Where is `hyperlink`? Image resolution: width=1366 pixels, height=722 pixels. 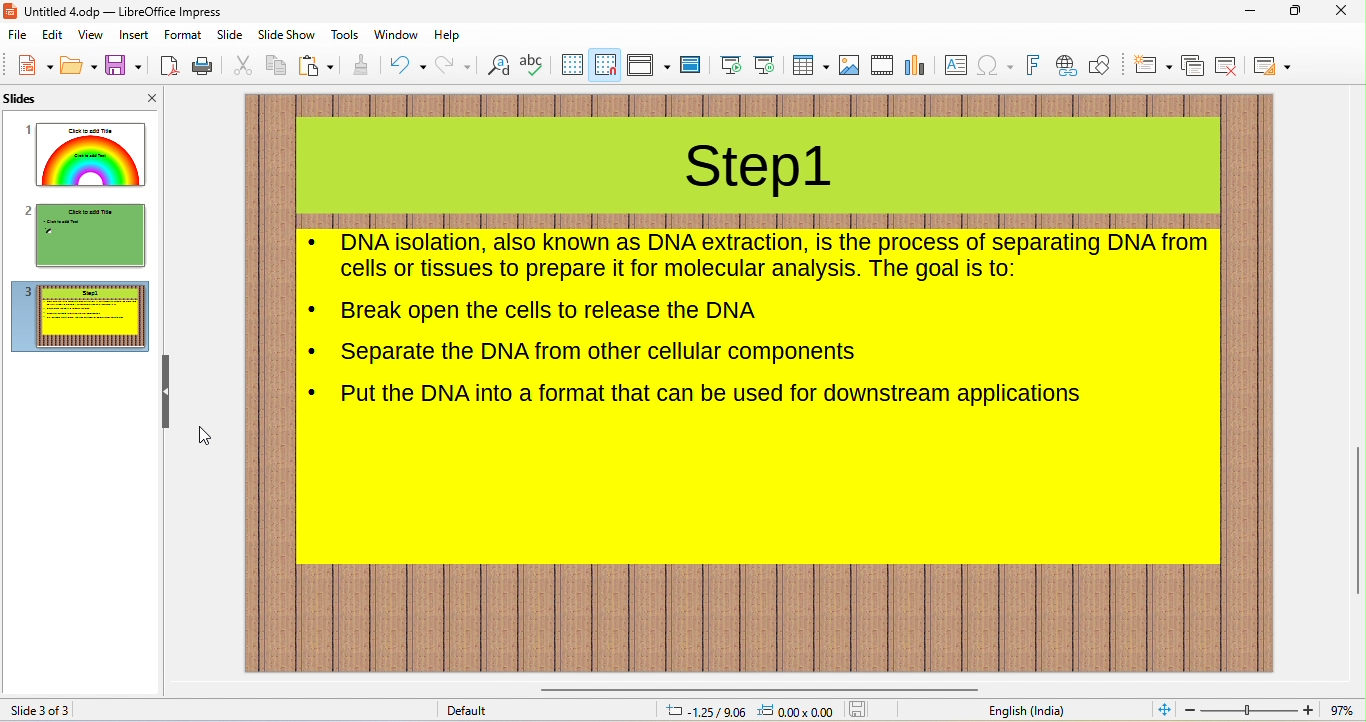
hyperlink is located at coordinates (1066, 67).